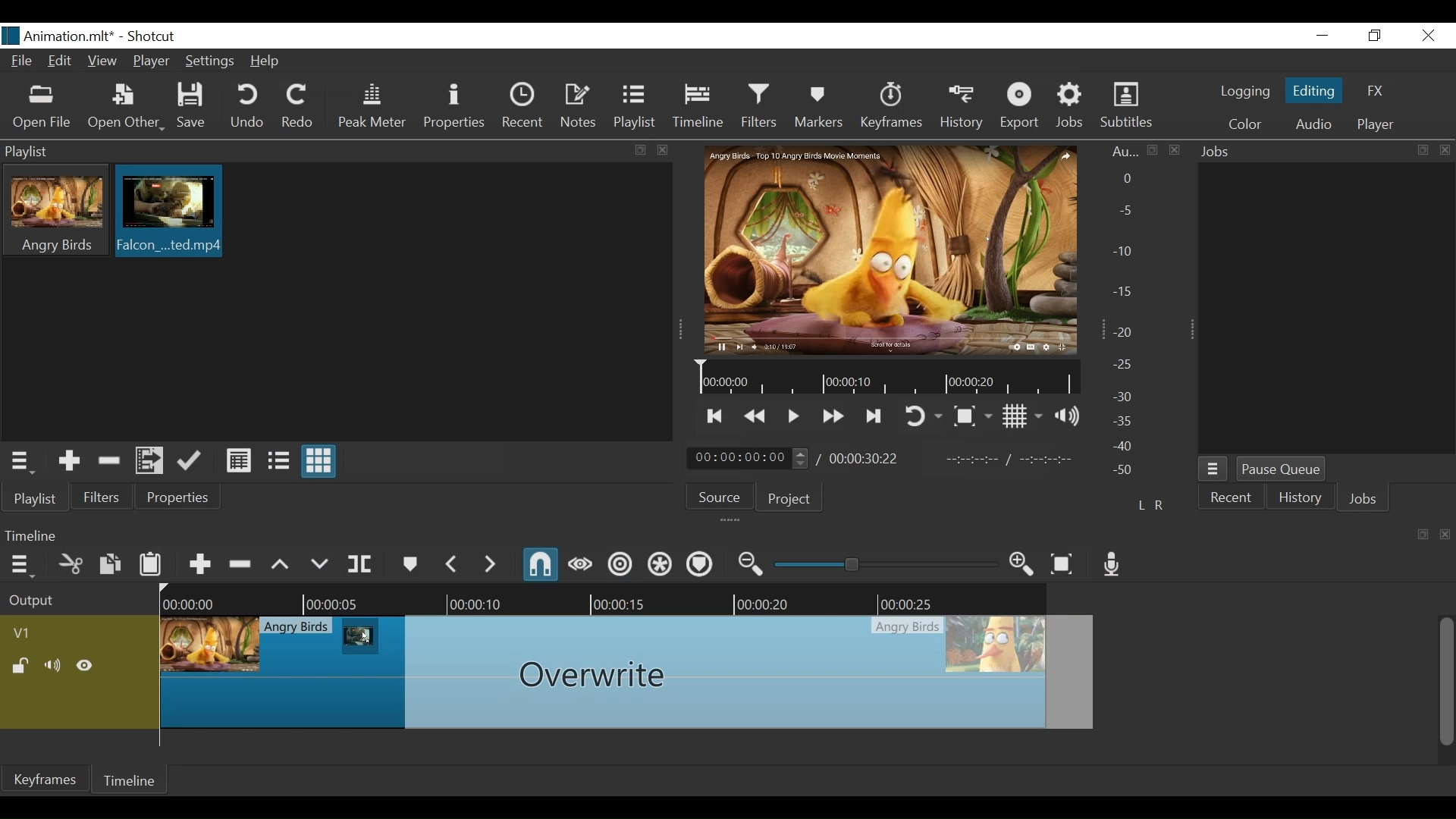 The height and width of the screenshot is (819, 1456). What do you see at coordinates (1070, 108) in the screenshot?
I see `Jobs` at bounding box center [1070, 108].